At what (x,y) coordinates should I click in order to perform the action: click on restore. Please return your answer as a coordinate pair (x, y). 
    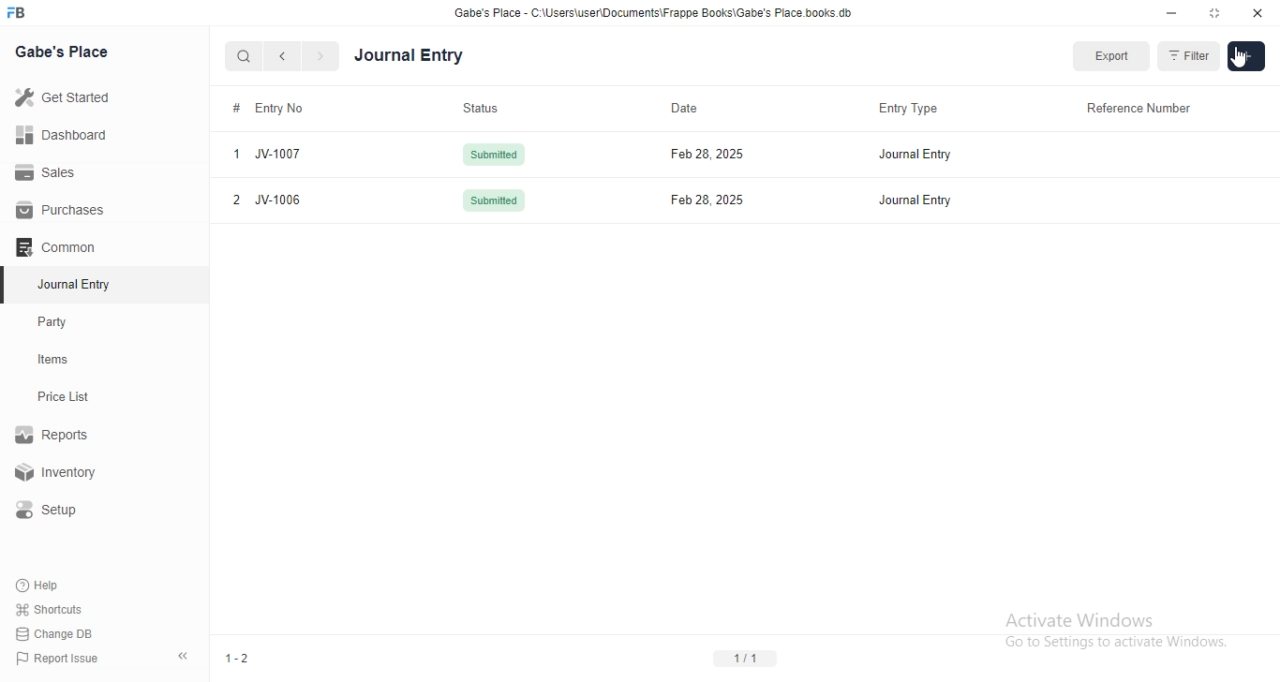
    Looking at the image, I should click on (1213, 12).